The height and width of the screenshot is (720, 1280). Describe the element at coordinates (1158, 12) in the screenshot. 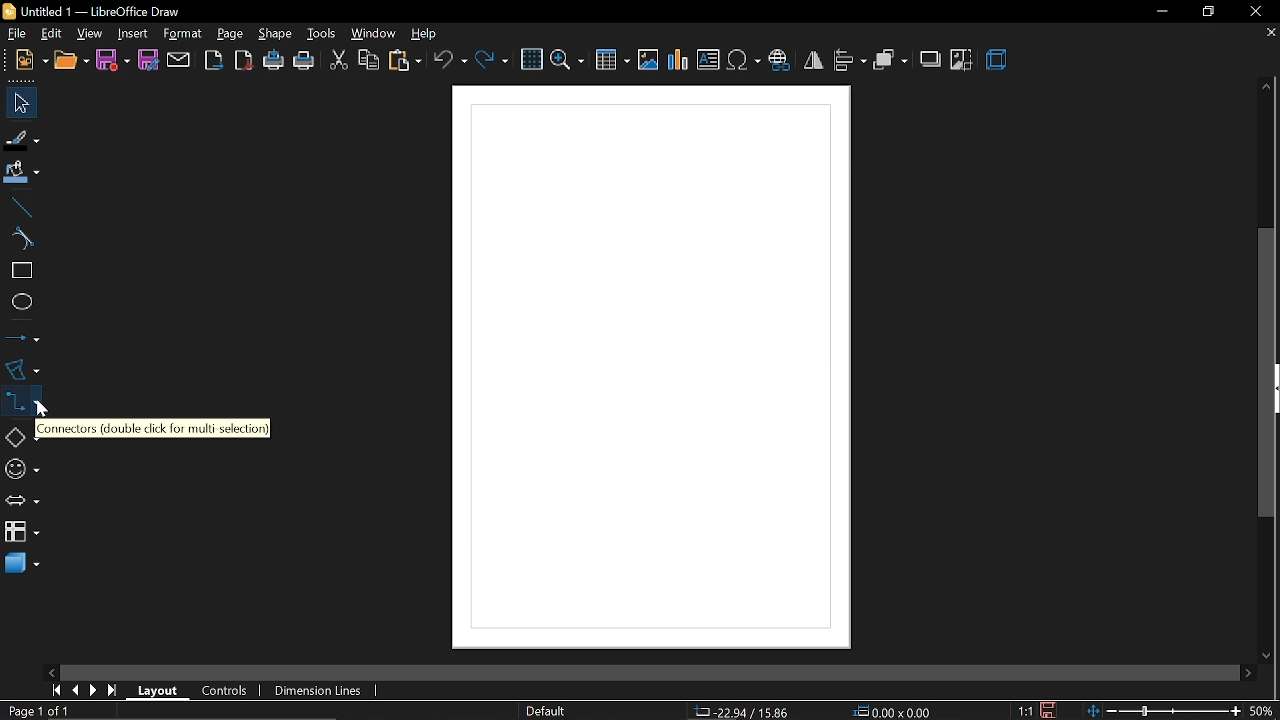

I see `minimize` at that location.